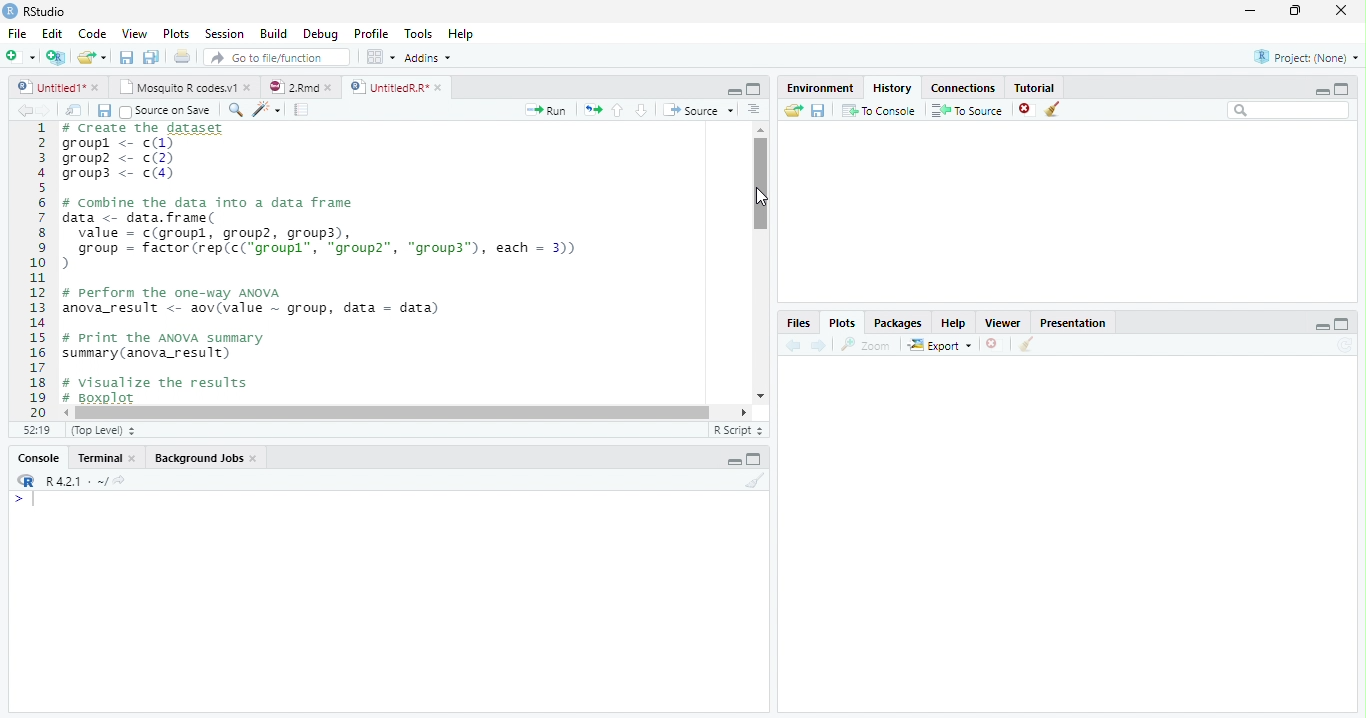 The height and width of the screenshot is (718, 1366). I want to click on Run, so click(546, 110).